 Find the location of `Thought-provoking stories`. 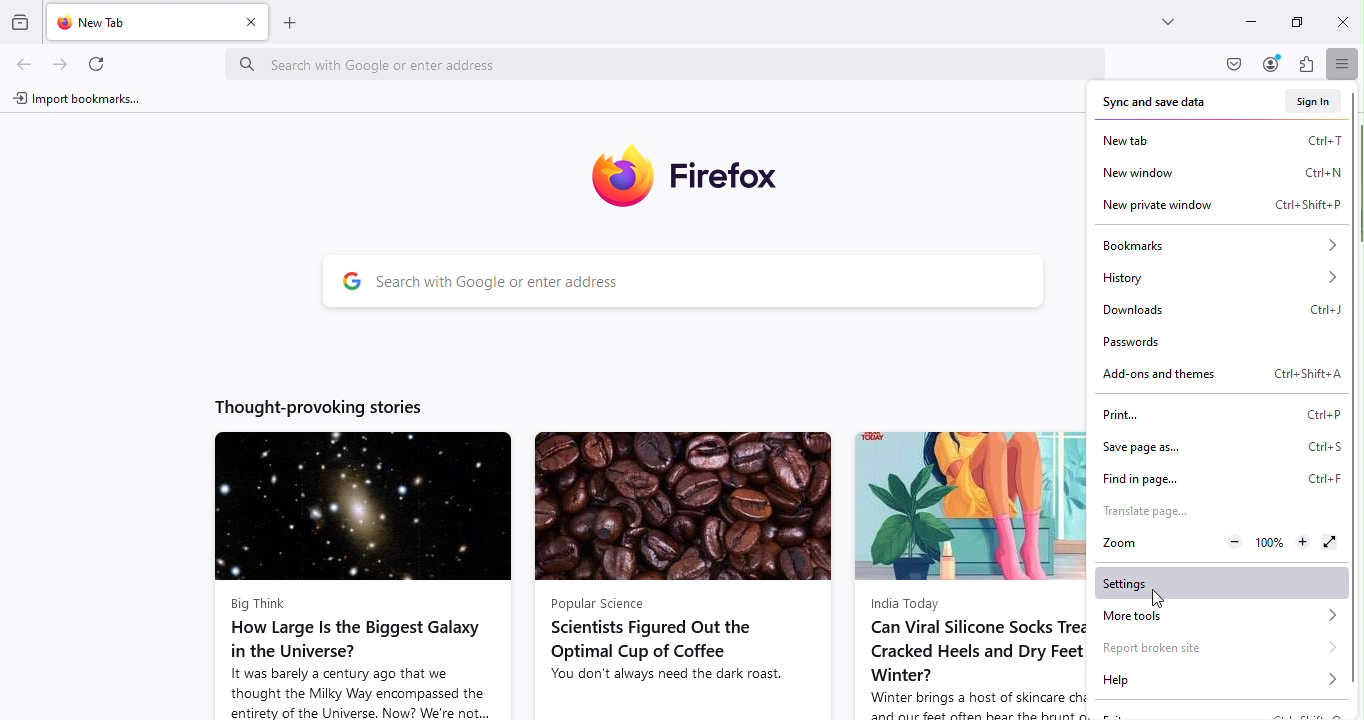

Thought-provoking stories is located at coordinates (323, 406).